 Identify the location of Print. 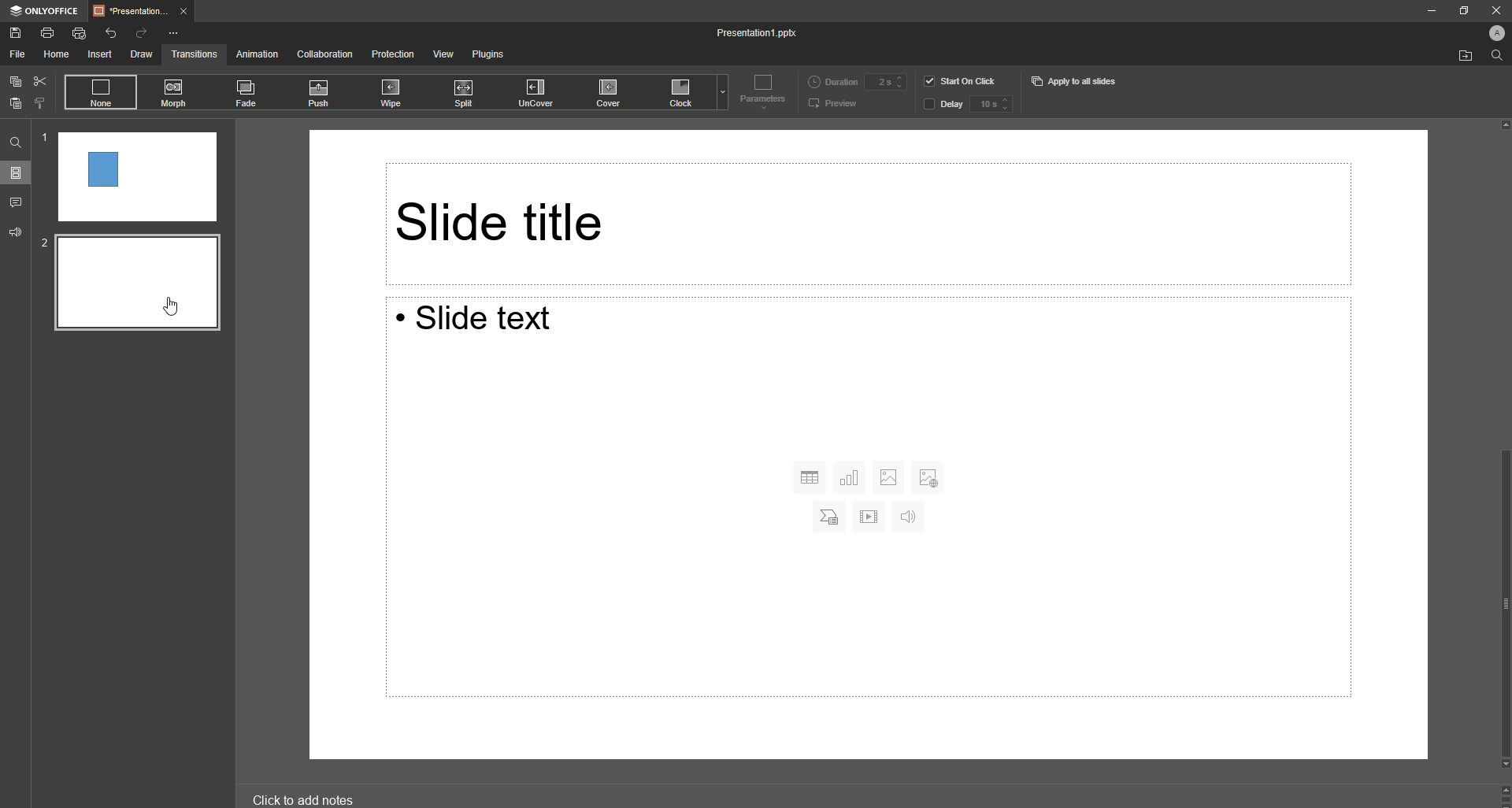
(47, 32).